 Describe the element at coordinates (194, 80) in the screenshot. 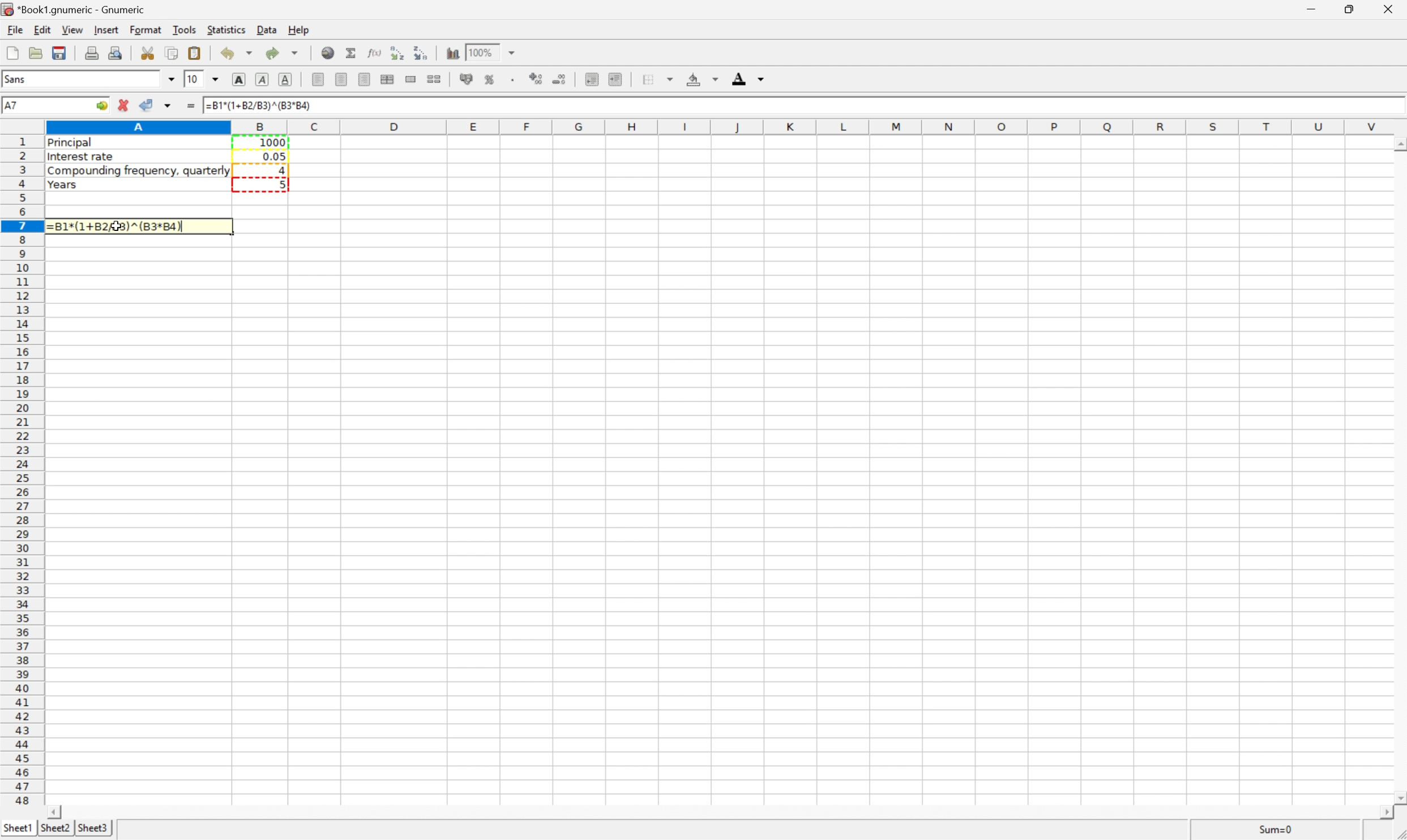

I see `10` at that location.